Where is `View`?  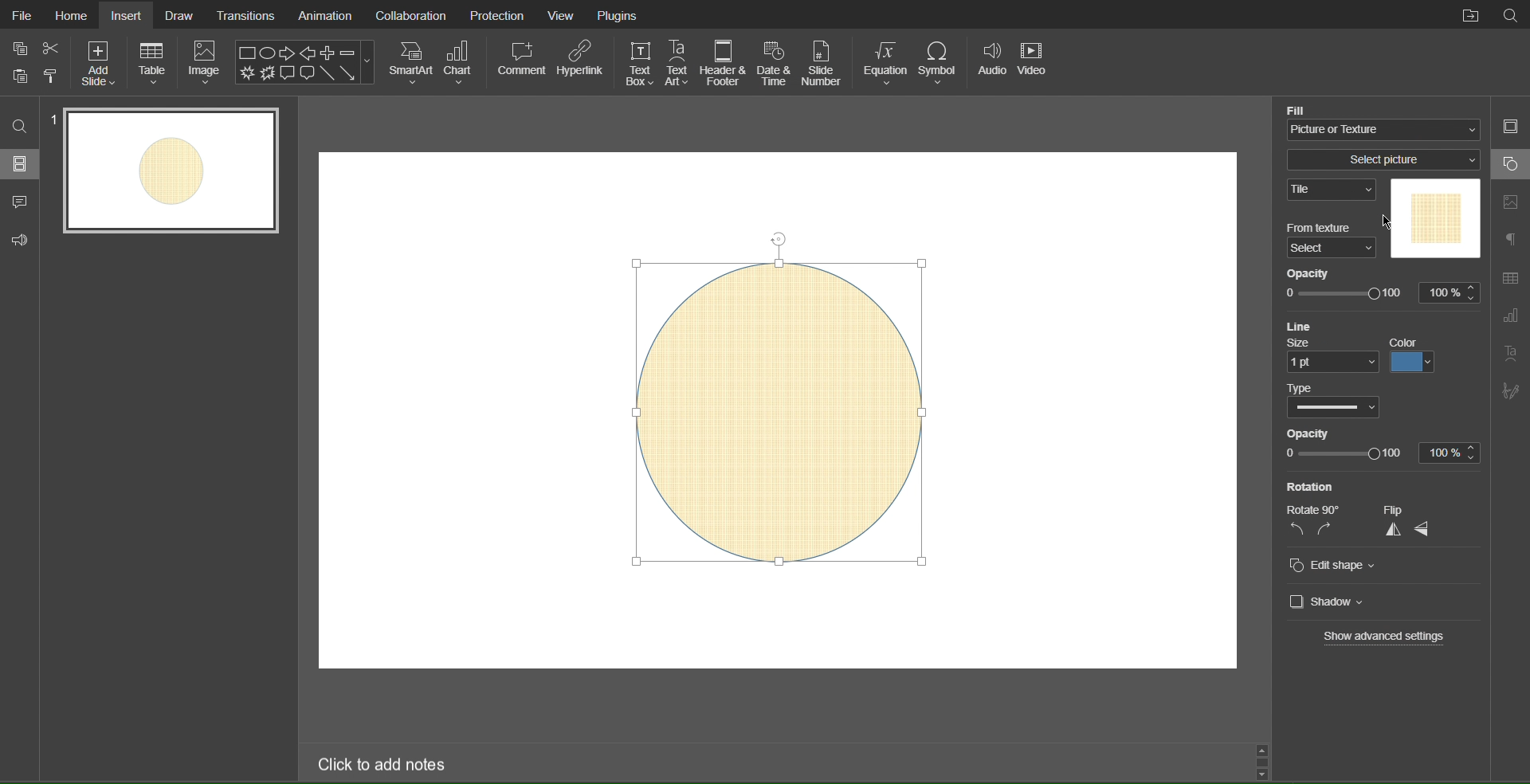
View is located at coordinates (565, 15).